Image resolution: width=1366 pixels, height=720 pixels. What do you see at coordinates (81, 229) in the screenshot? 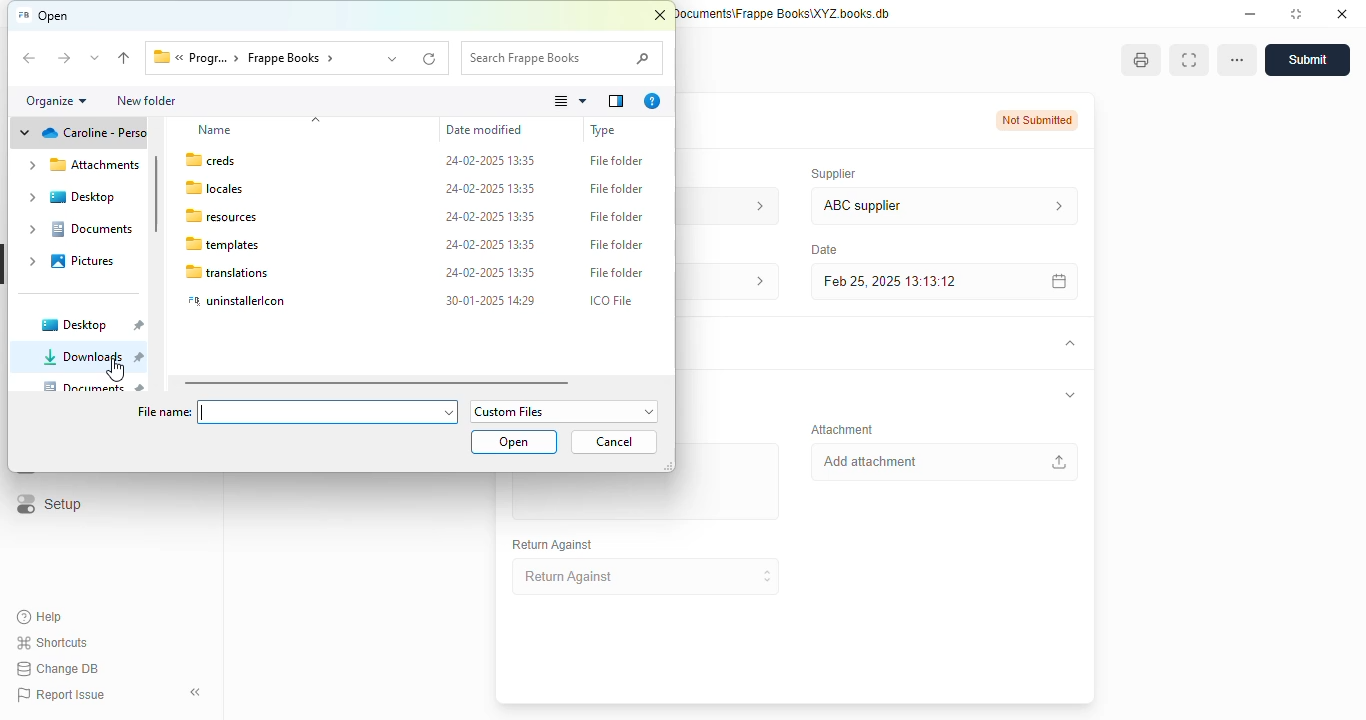
I see `documents` at bounding box center [81, 229].